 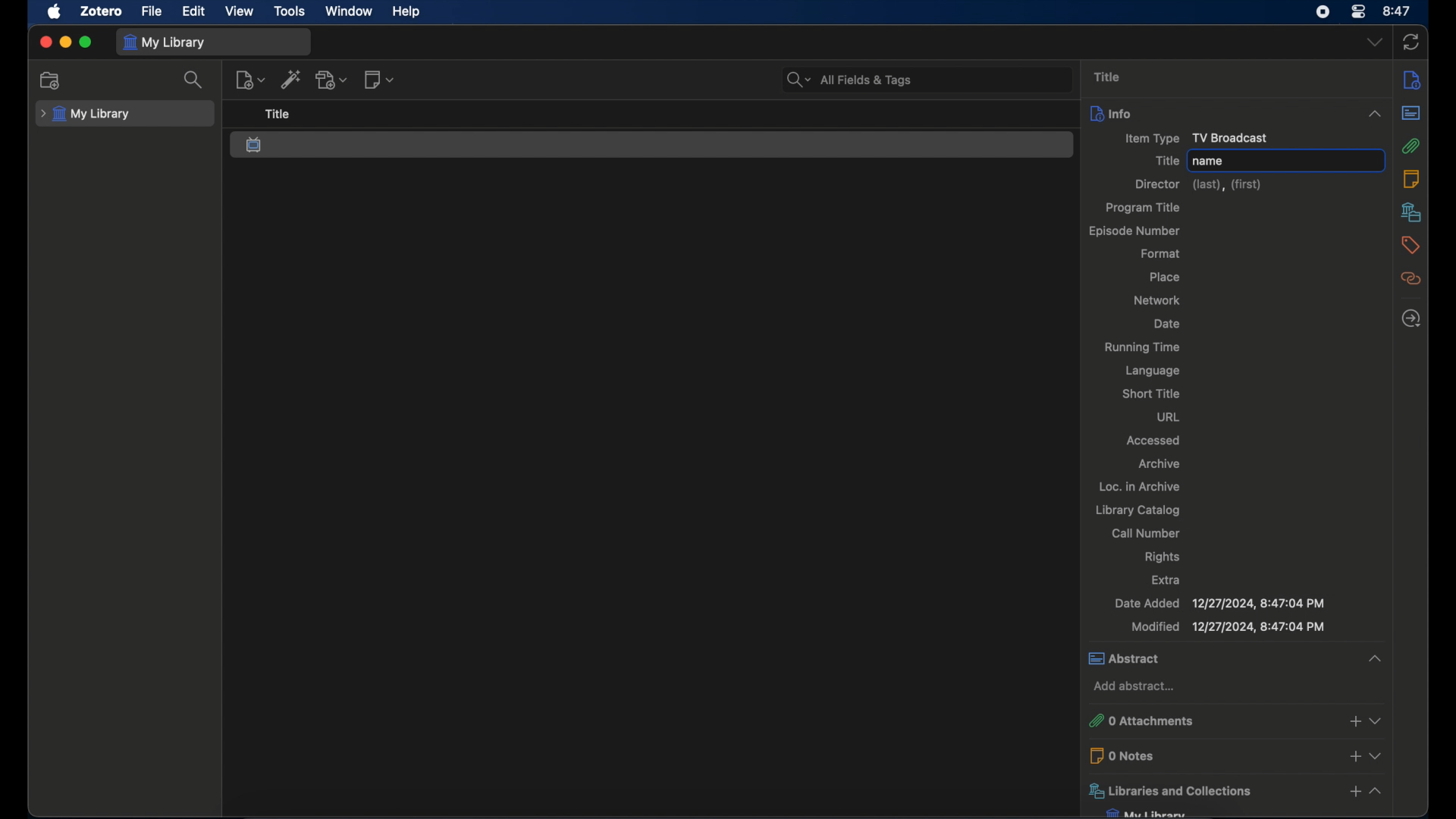 What do you see at coordinates (1379, 792) in the screenshot?
I see `collapse` at bounding box center [1379, 792].